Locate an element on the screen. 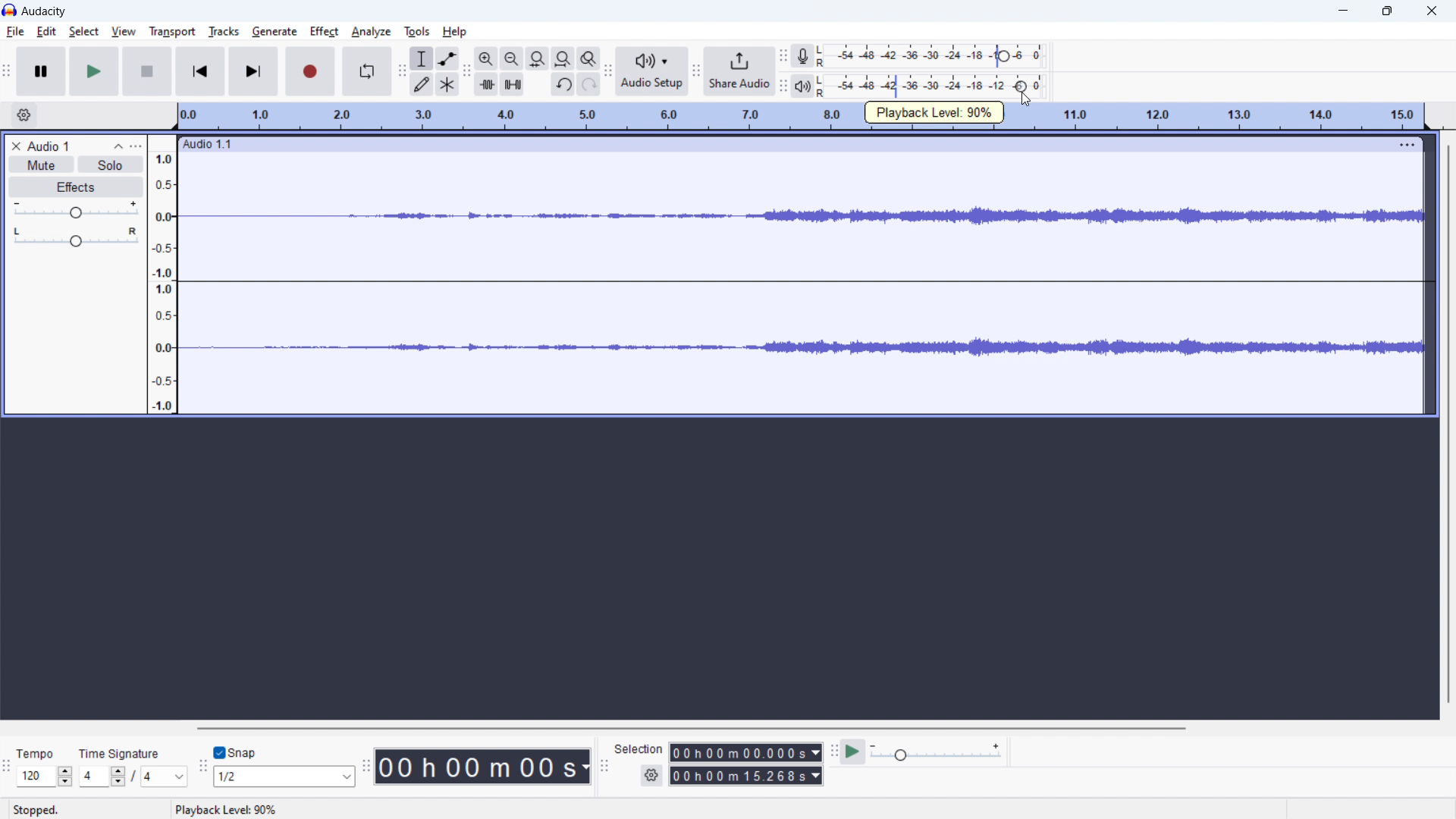 The width and height of the screenshot is (1456, 819). toggle zoom is located at coordinates (588, 58).